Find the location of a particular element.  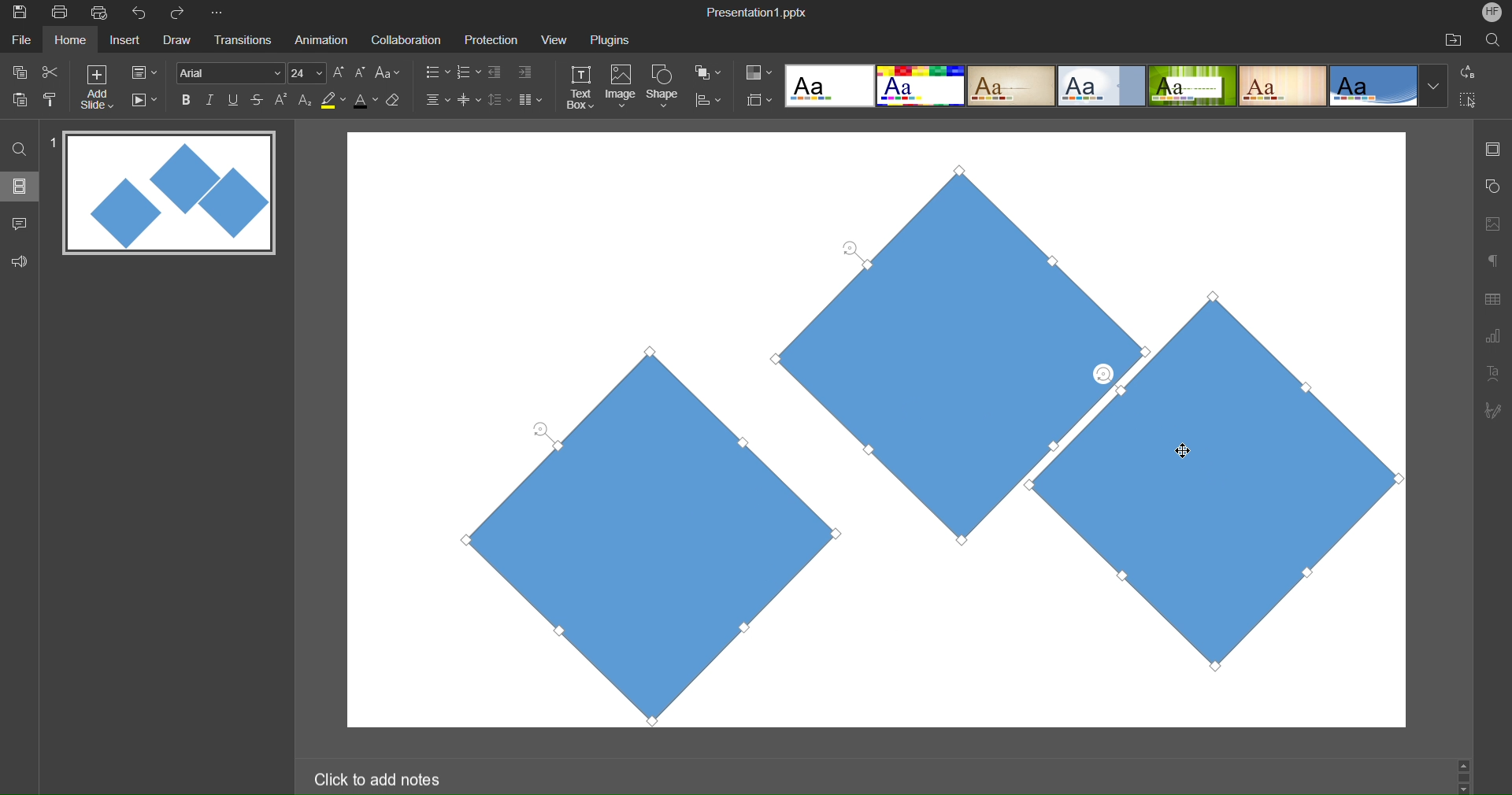

Plugins is located at coordinates (612, 39).